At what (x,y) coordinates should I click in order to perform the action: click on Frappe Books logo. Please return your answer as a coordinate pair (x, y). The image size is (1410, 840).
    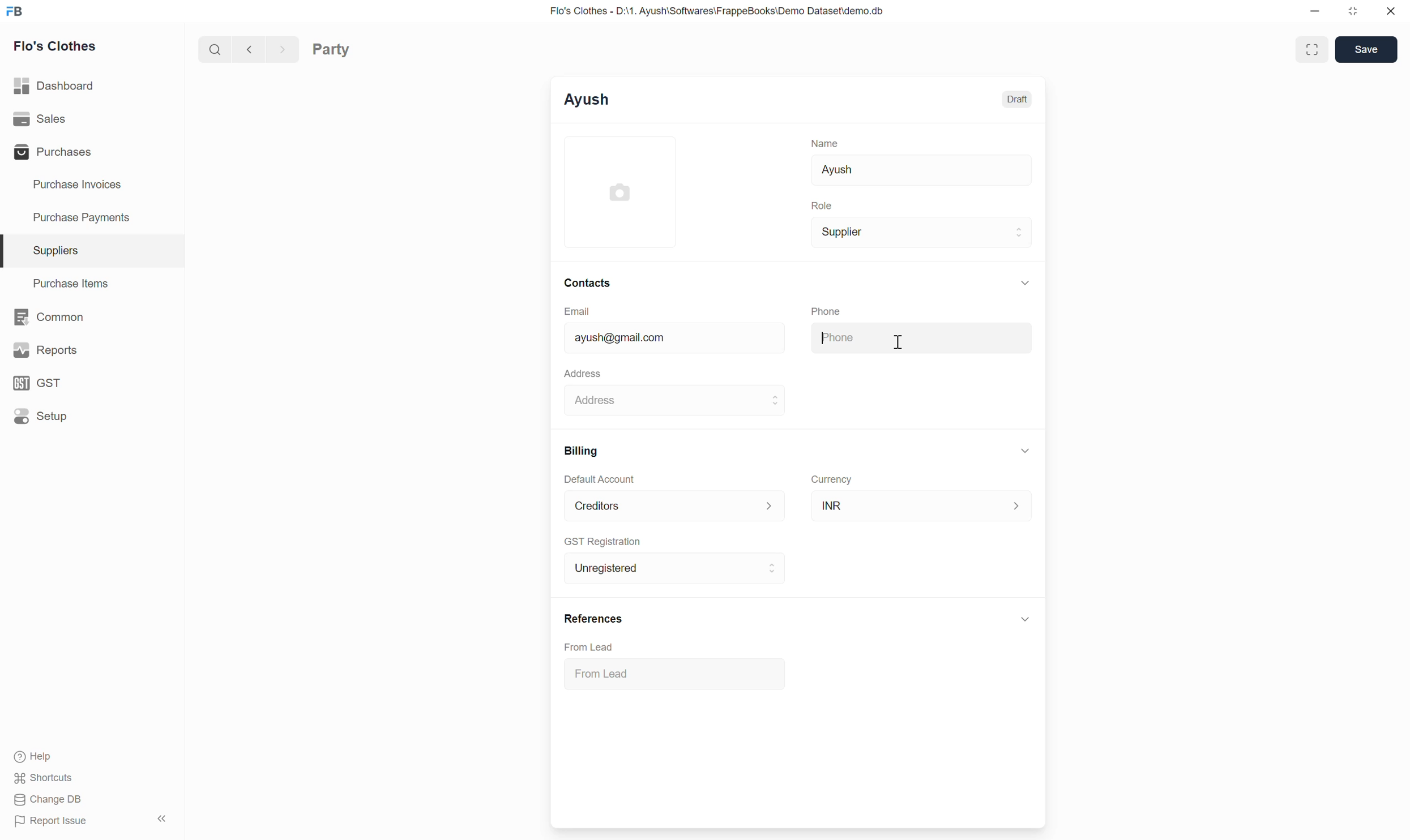
    Looking at the image, I should click on (14, 11).